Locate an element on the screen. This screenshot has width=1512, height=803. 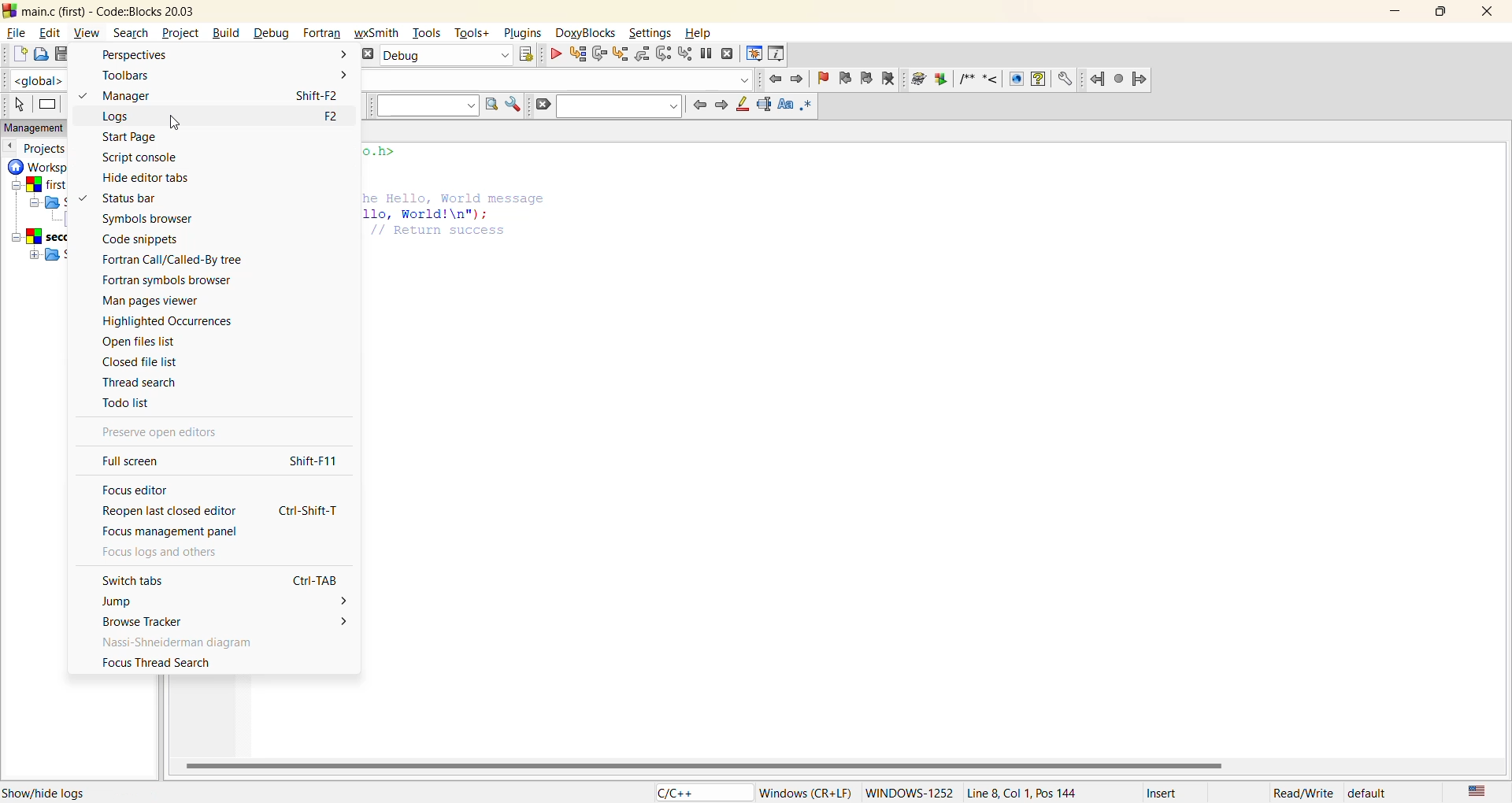
focus management panel is located at coordinates (190, 531).